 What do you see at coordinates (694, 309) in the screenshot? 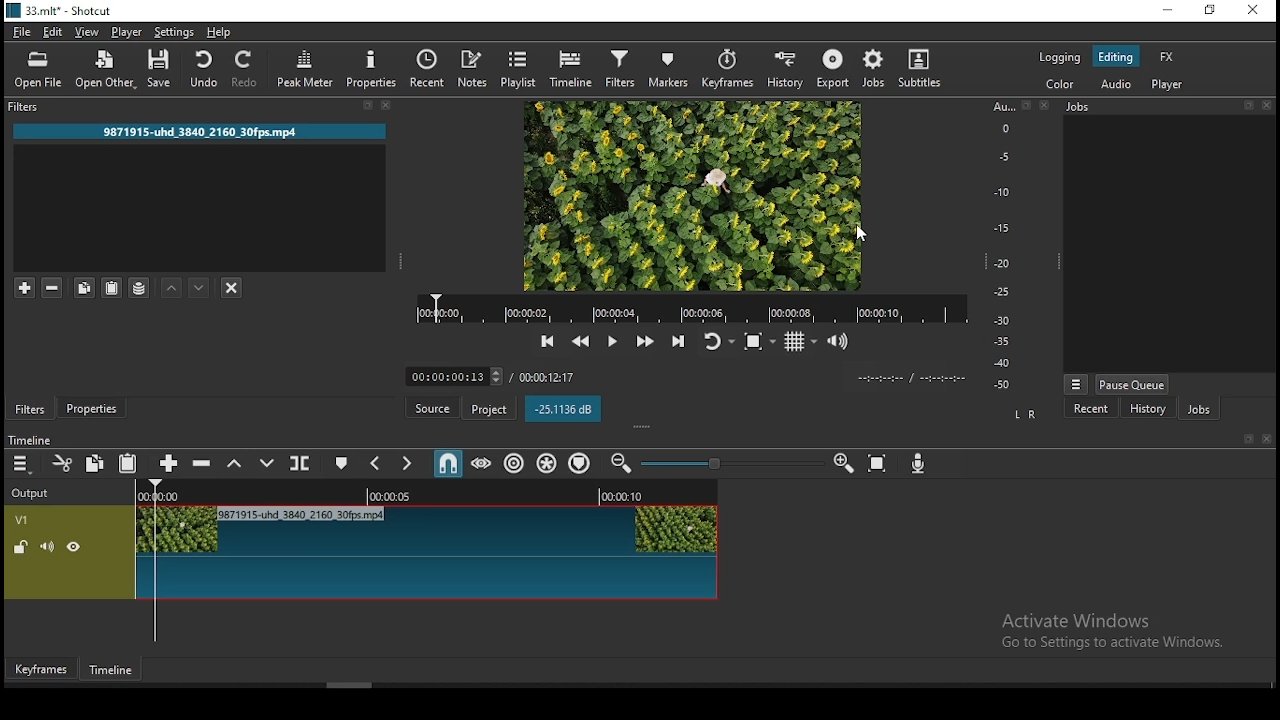
I see `track time` at bounding box center [694, 309].